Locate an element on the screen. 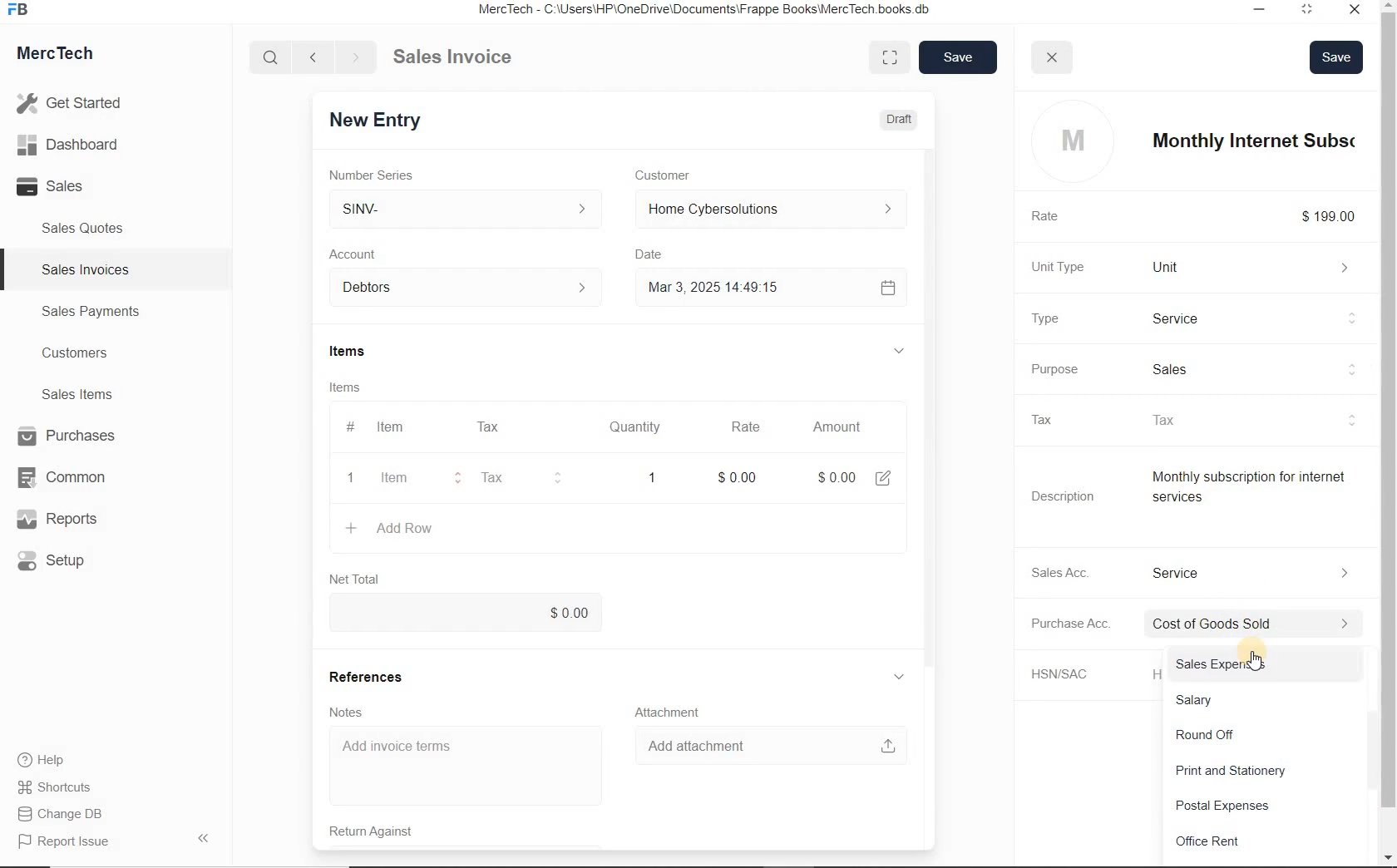 The image size is (1397, 868). Item is located at coordinates (401, 427).